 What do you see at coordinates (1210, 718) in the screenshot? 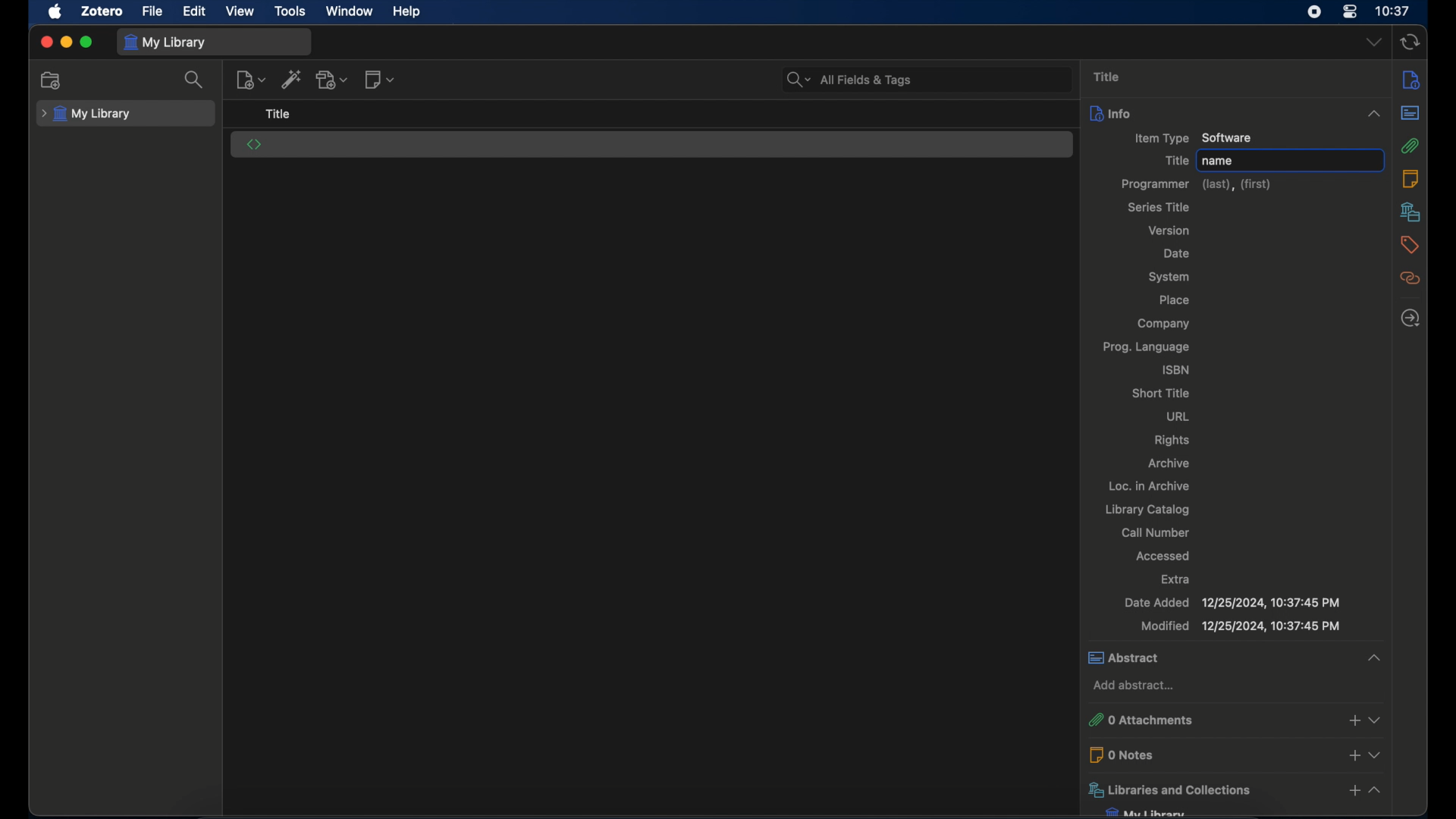
I see `0 attachments` at bounding box center [1210, 718].